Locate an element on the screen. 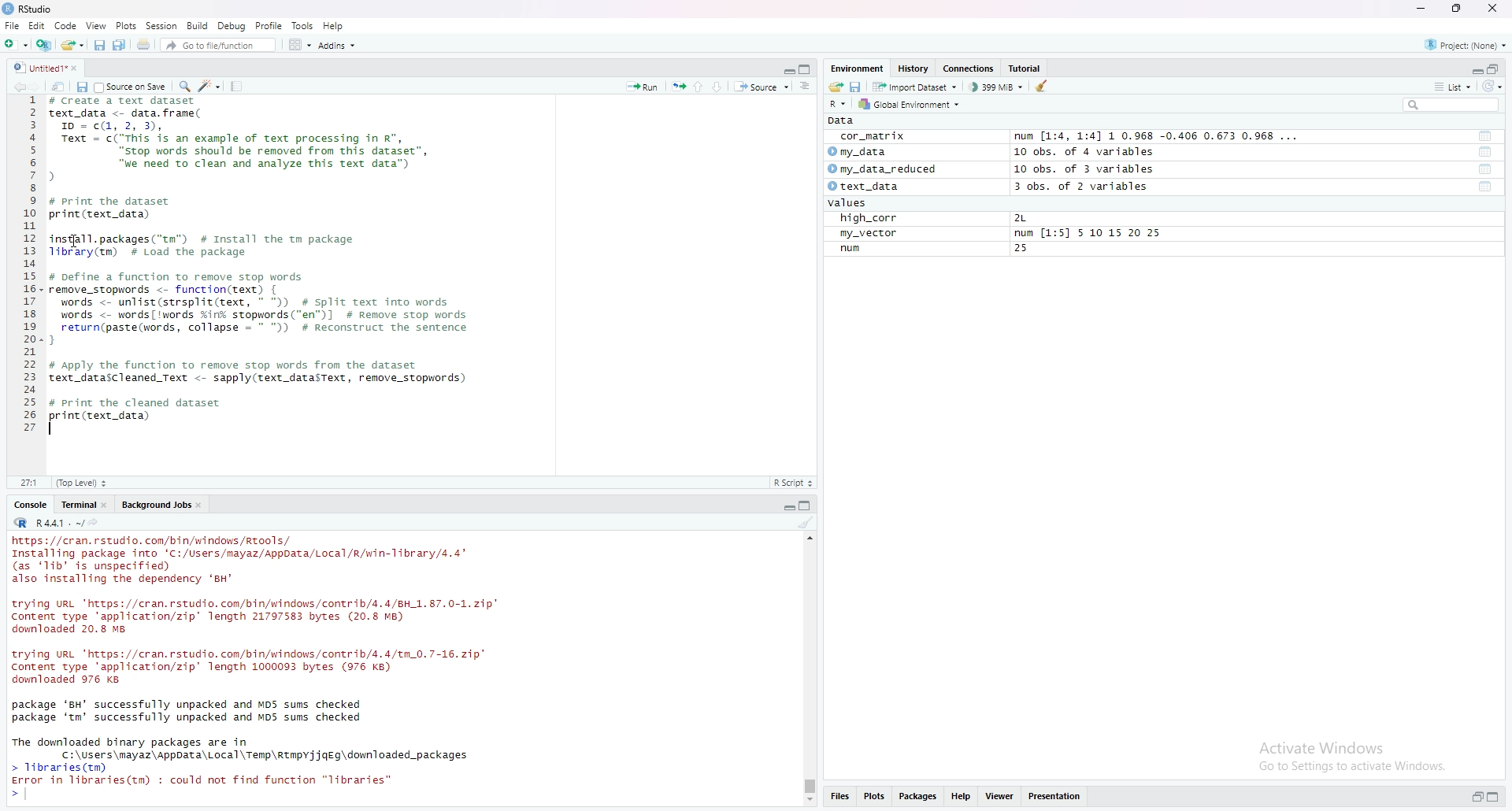  Top level is located at coordinates (82, 482).